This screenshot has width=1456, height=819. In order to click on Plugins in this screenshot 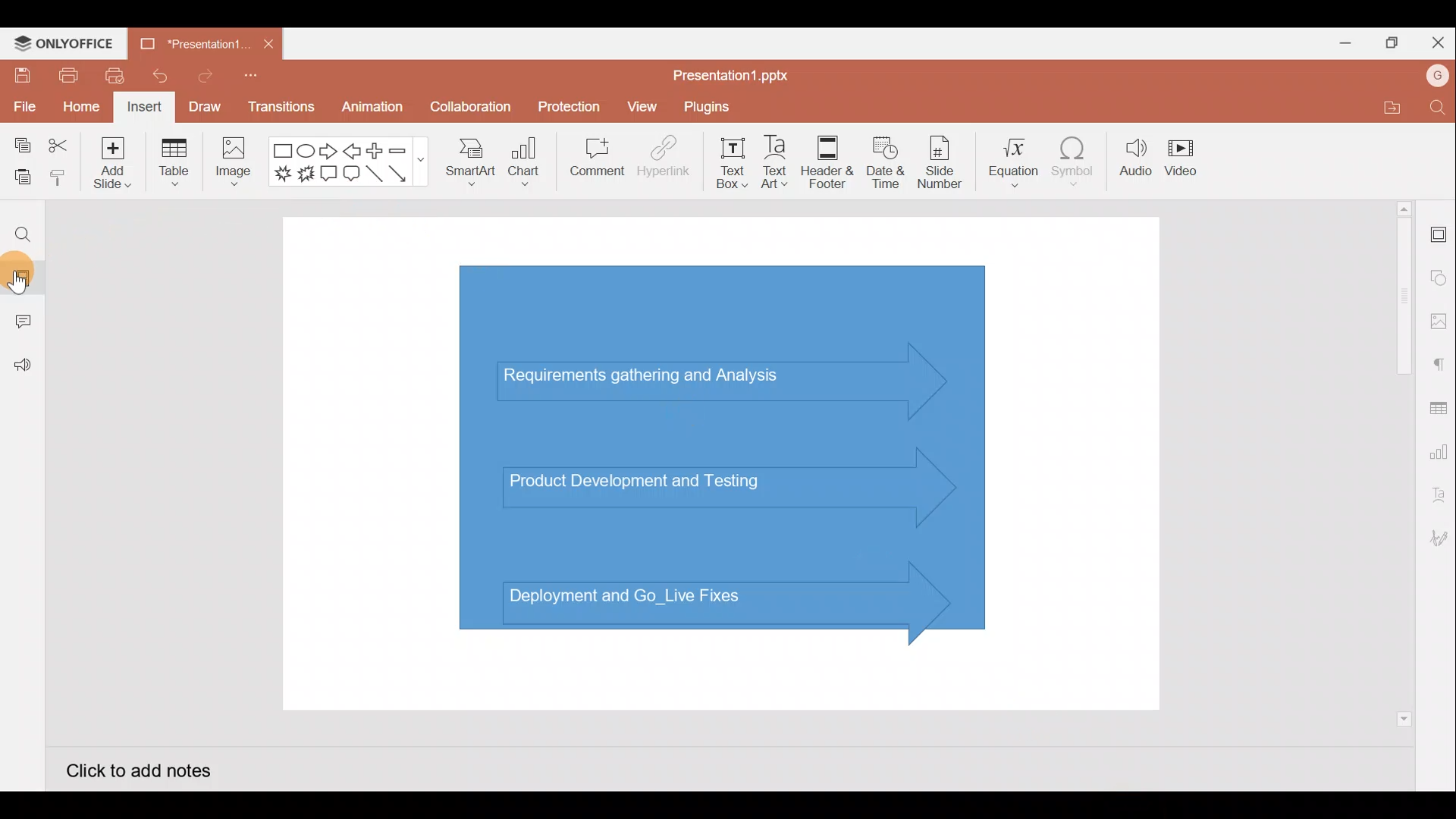, I will do `click(714, 108)`.